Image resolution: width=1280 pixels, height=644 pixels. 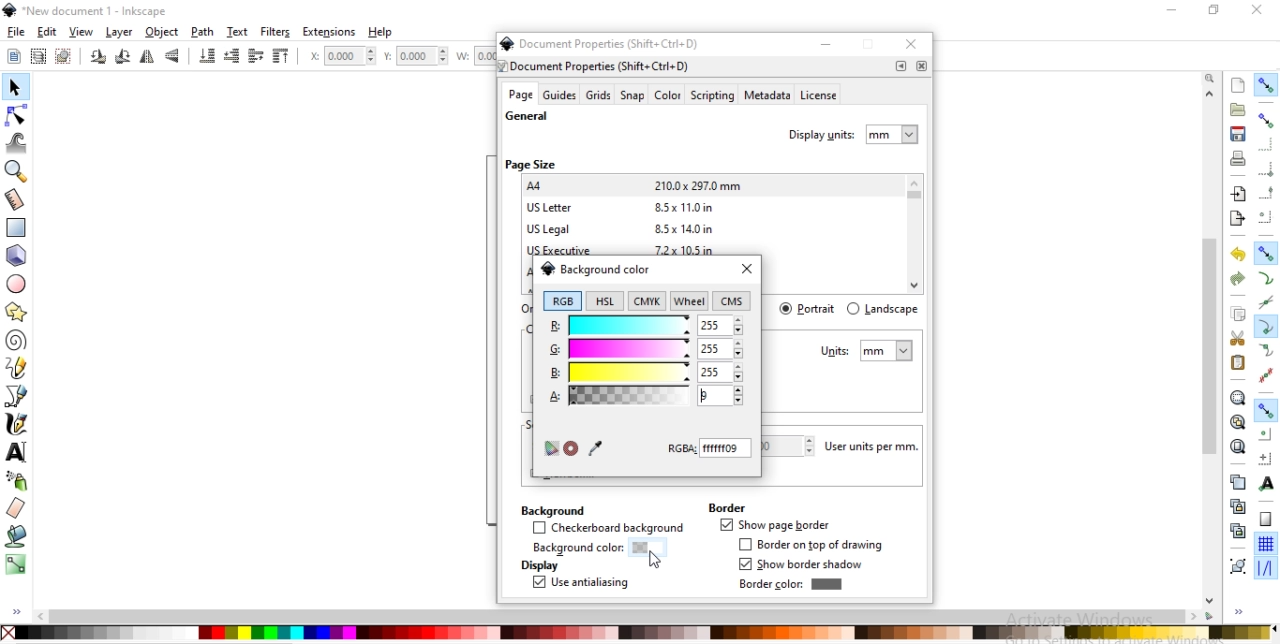 I want to click on snap guide, so click(x=1266, y=569).